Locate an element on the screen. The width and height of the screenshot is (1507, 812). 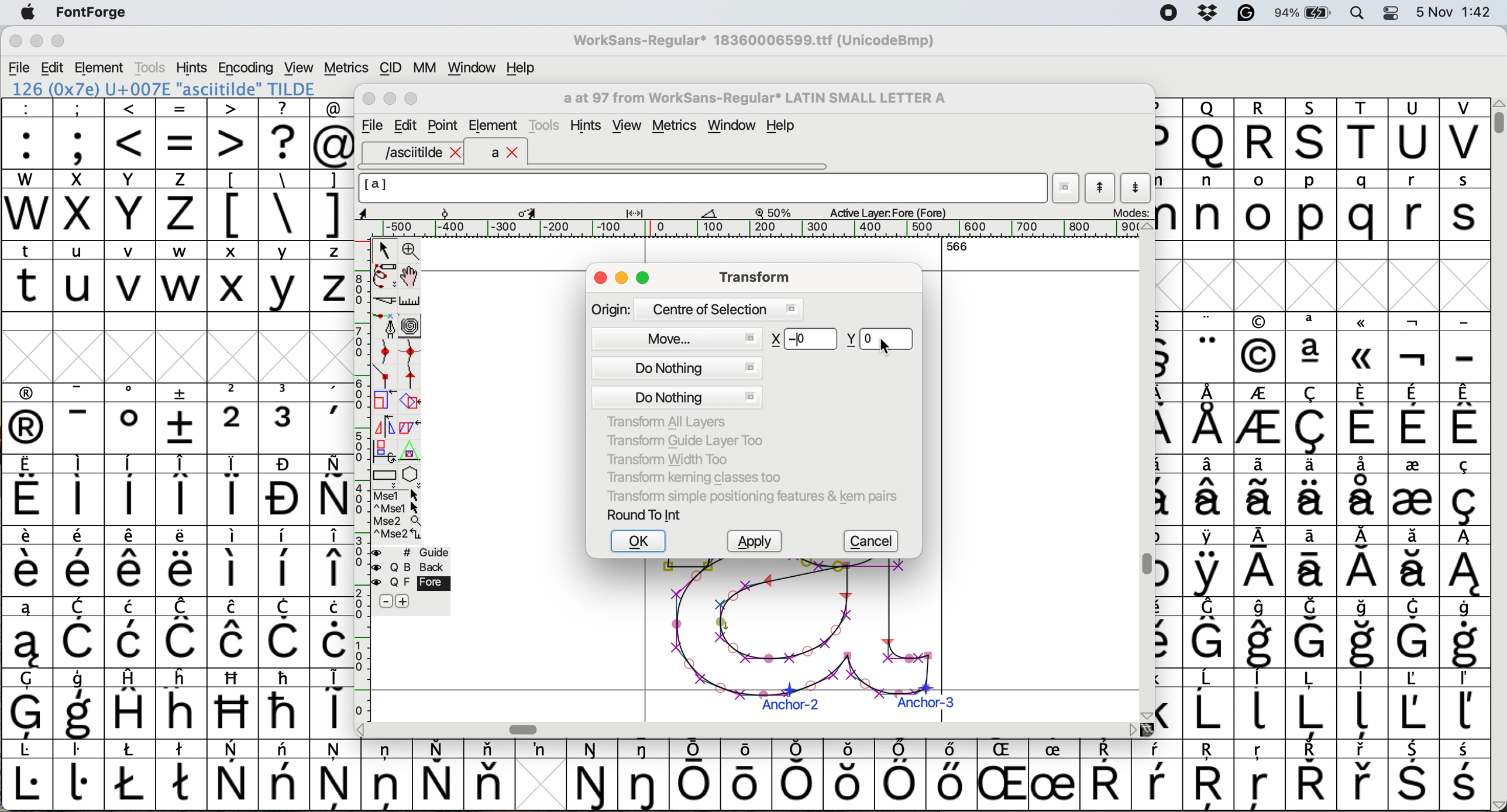
Edit is located at coordinates (405, 125).